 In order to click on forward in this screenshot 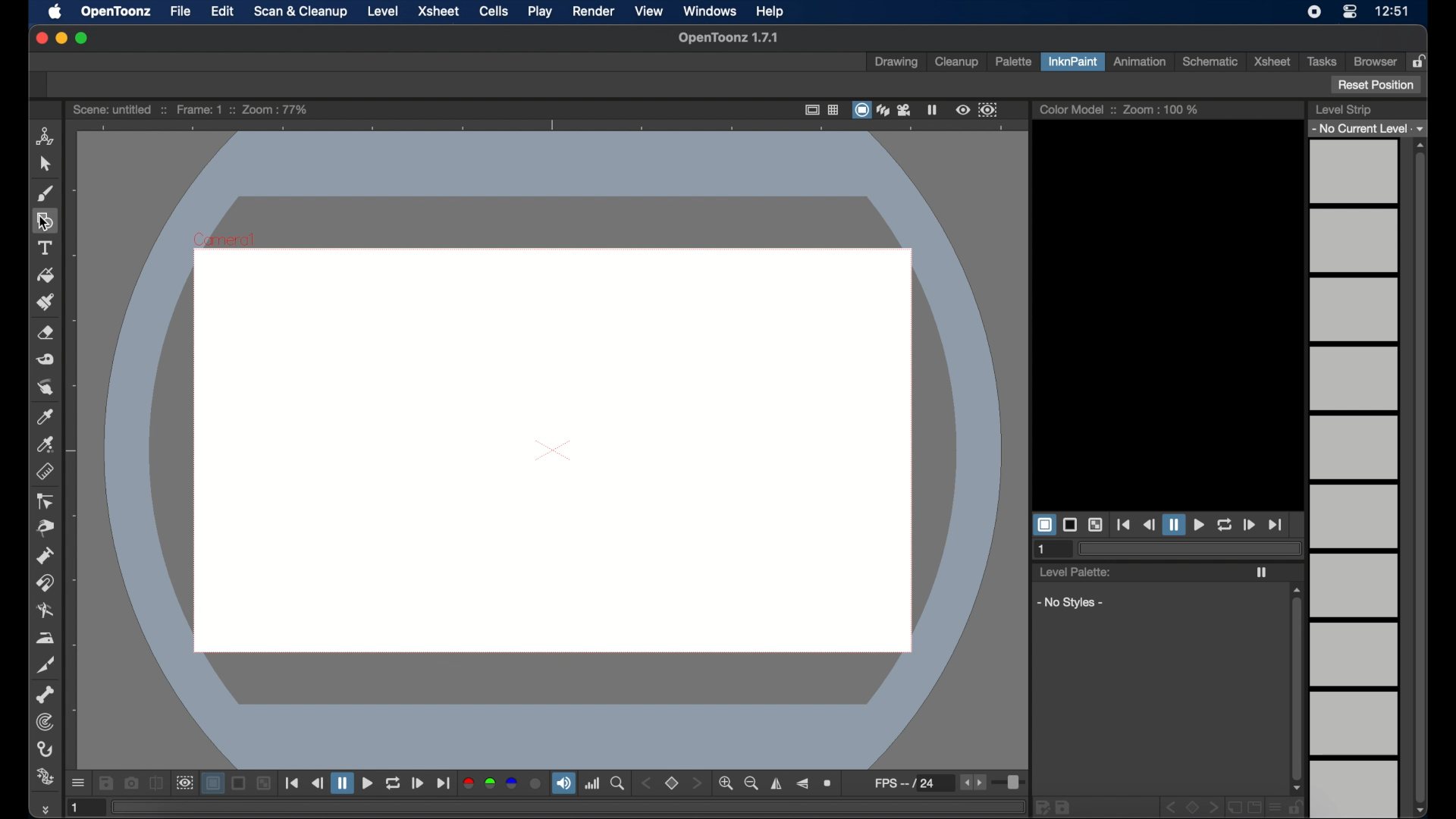, I will do `click(418, 783)`.